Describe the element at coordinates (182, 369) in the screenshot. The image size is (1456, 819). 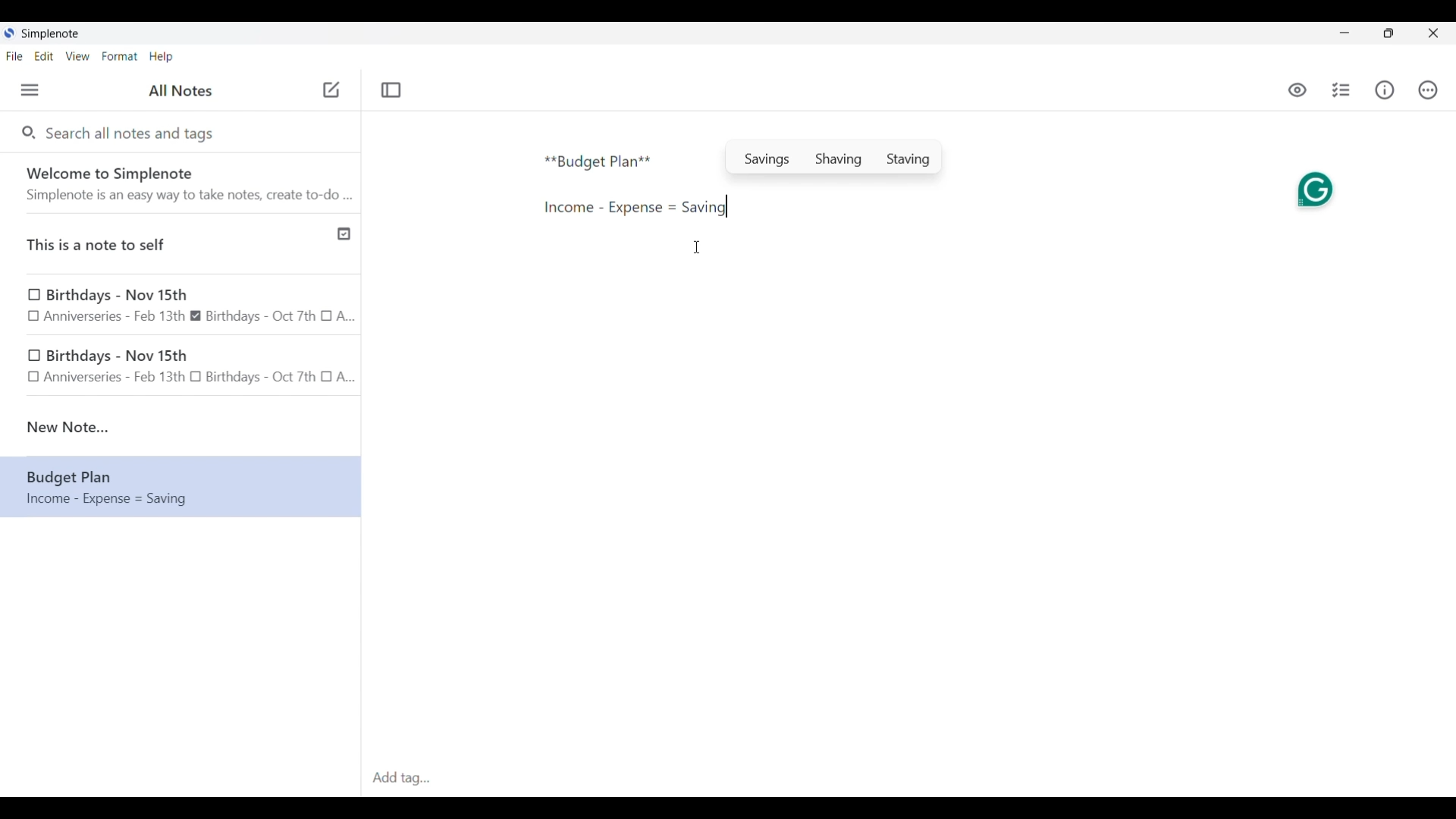
I see `birthday note` at that location.